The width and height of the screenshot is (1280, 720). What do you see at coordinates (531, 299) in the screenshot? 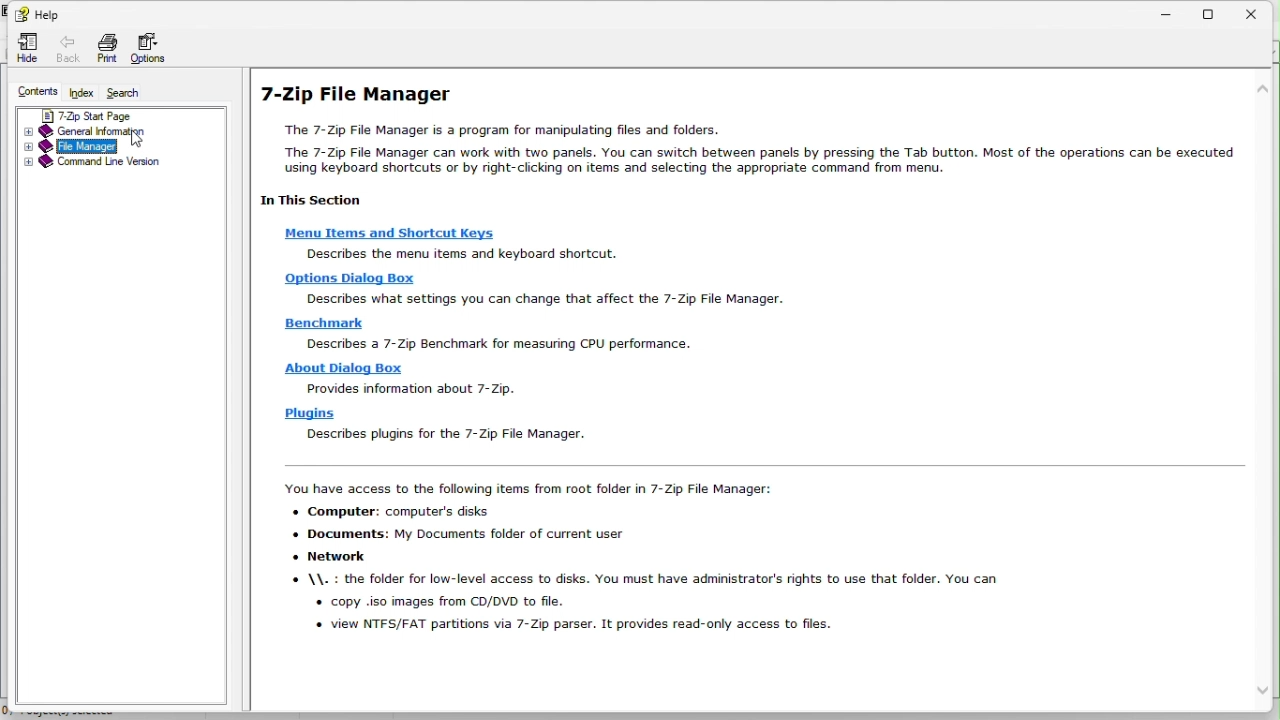
I see `Describe what settings you can change that affect the 7-Zip File Manager` at bounding box center [531, 299].